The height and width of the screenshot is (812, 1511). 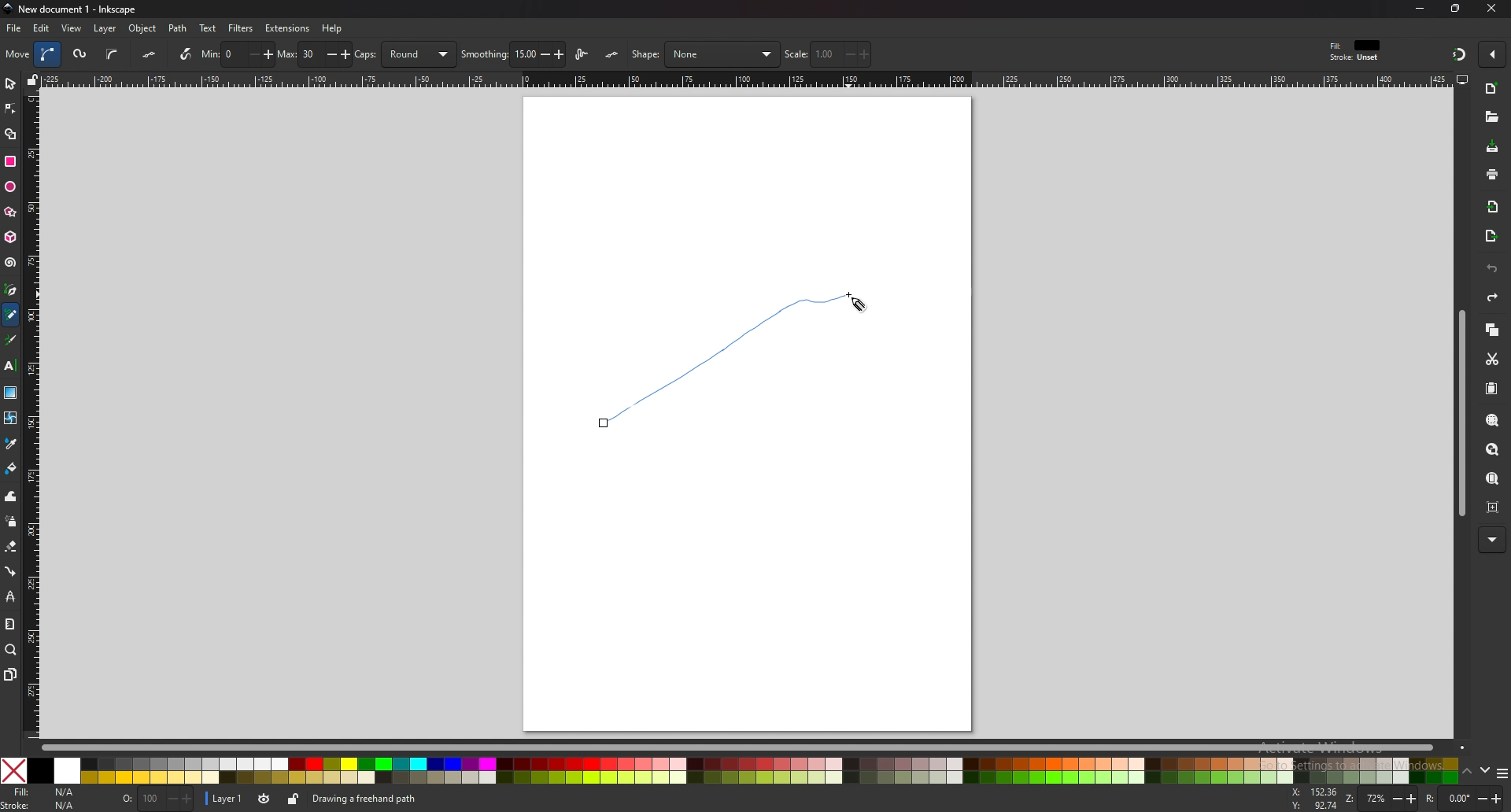 I want to click on redo, so click(x=1492, y=298).